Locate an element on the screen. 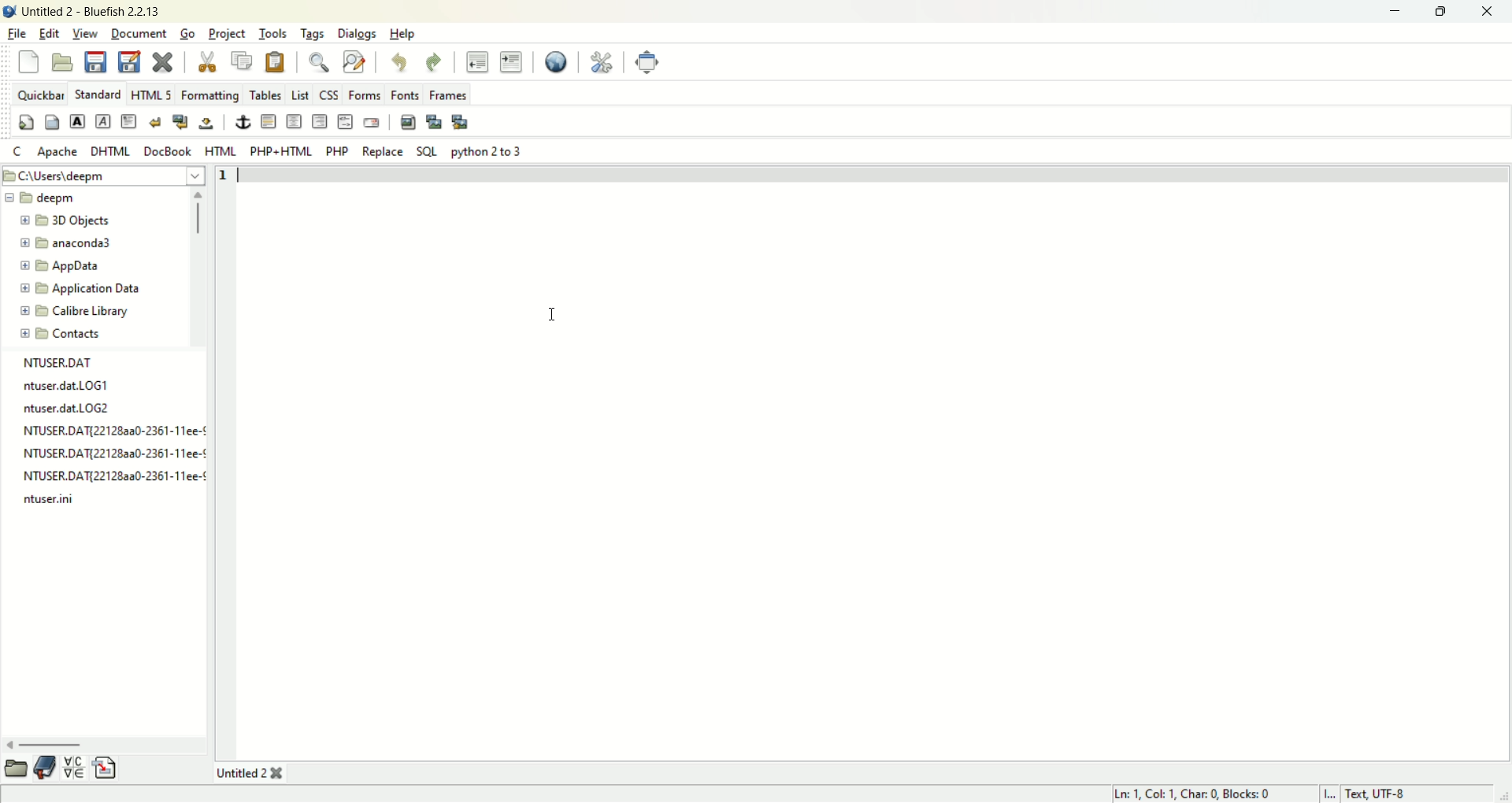 This screenshot has height=803, width=1512. quickbar is located at coordinates (39, 94).